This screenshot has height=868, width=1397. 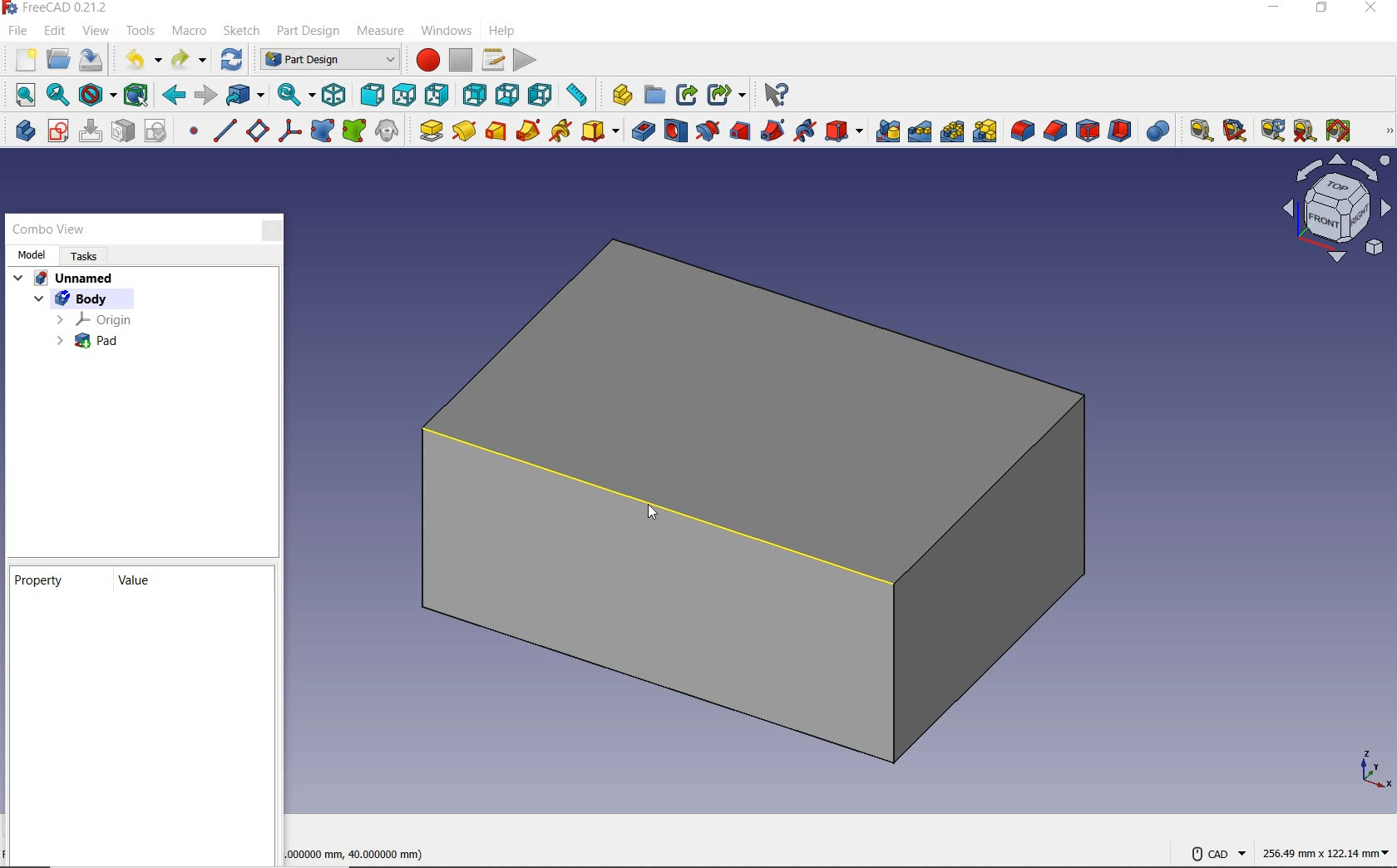 I want to click on refresh, so click(x=1269, y=131).